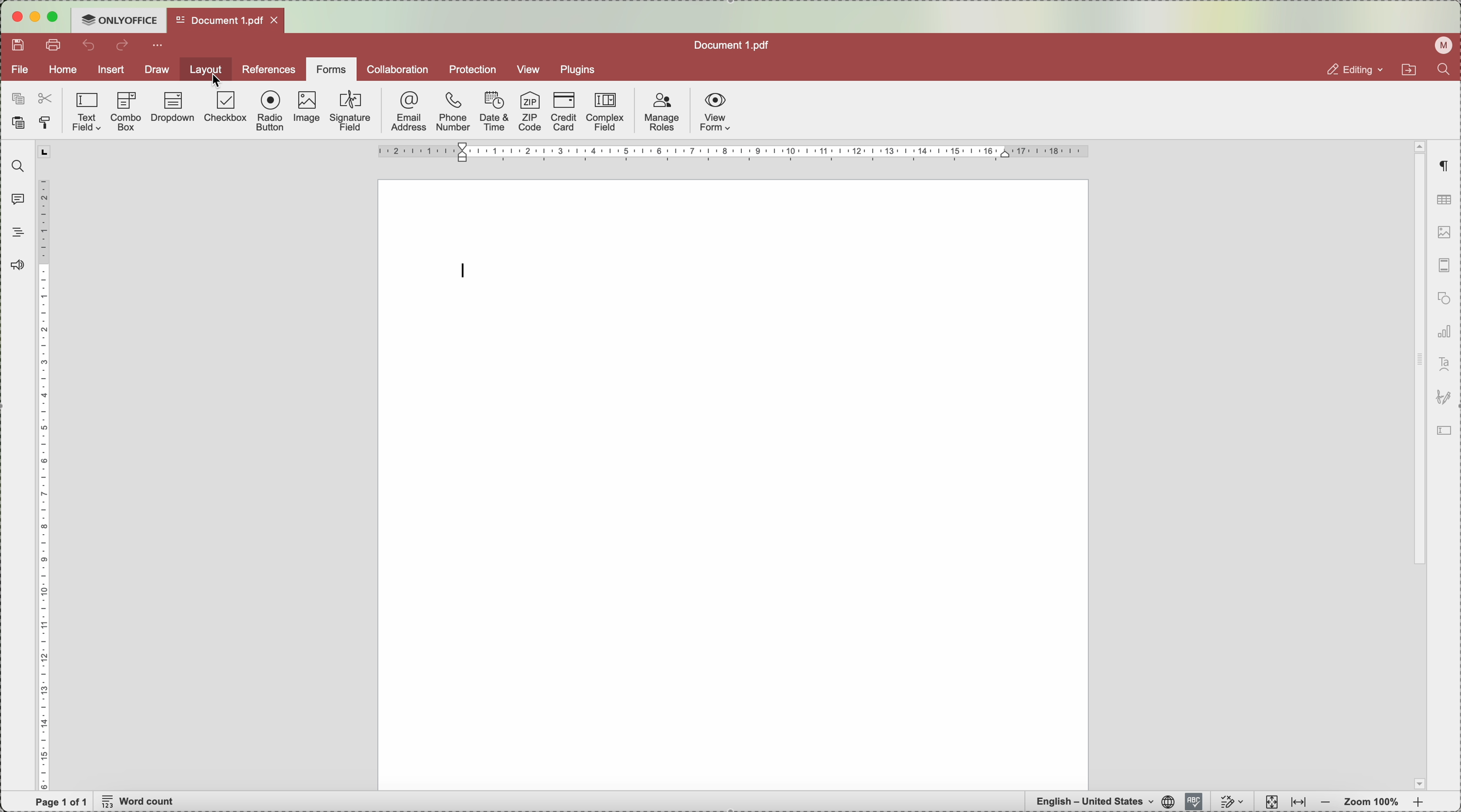 The height and width of the screenshot is (812, 1461). I want to click on zoom in, so click(1418, 803).